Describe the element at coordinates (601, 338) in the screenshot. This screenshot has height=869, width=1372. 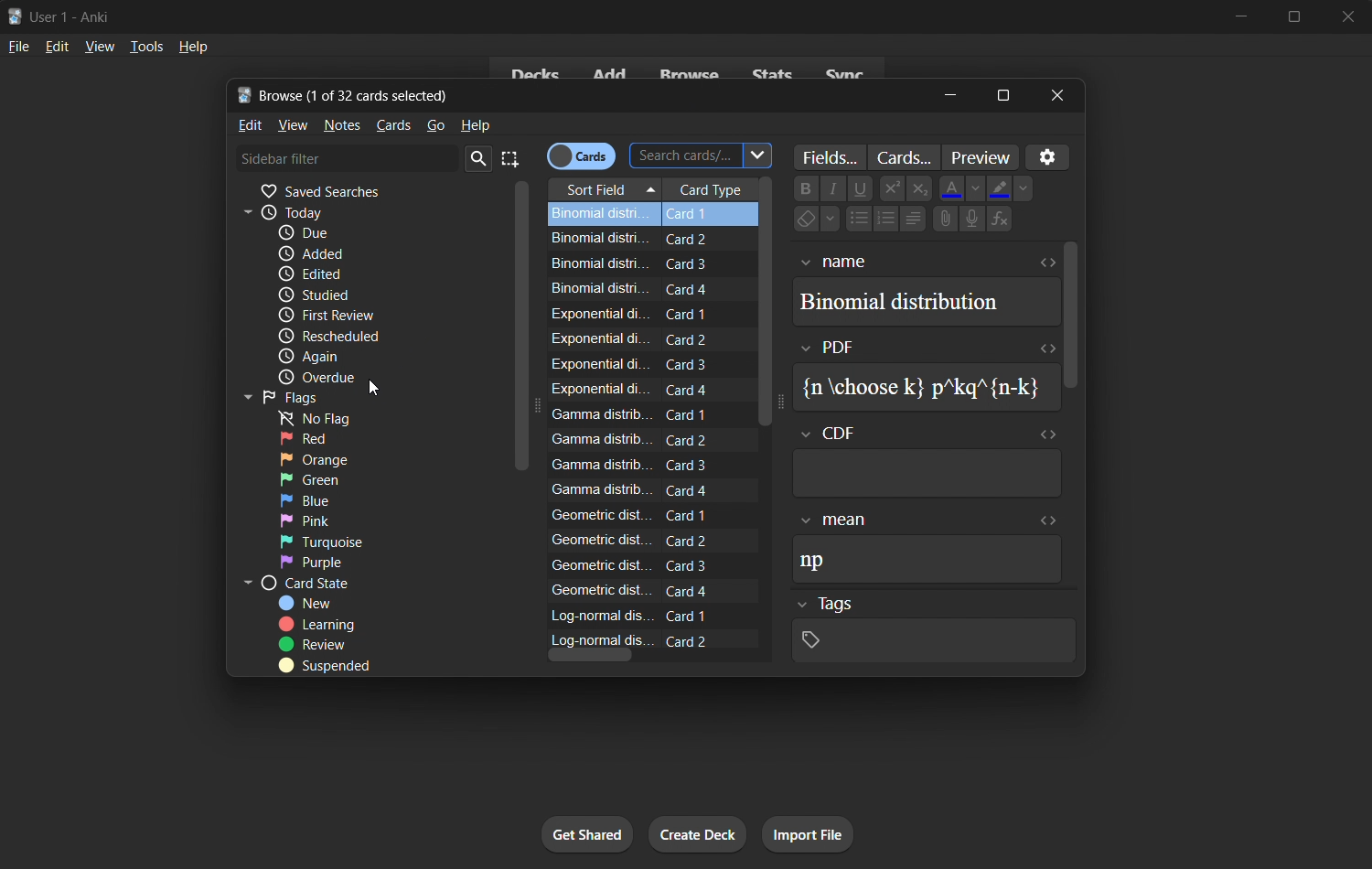
I see `Exponential di.` at that location.